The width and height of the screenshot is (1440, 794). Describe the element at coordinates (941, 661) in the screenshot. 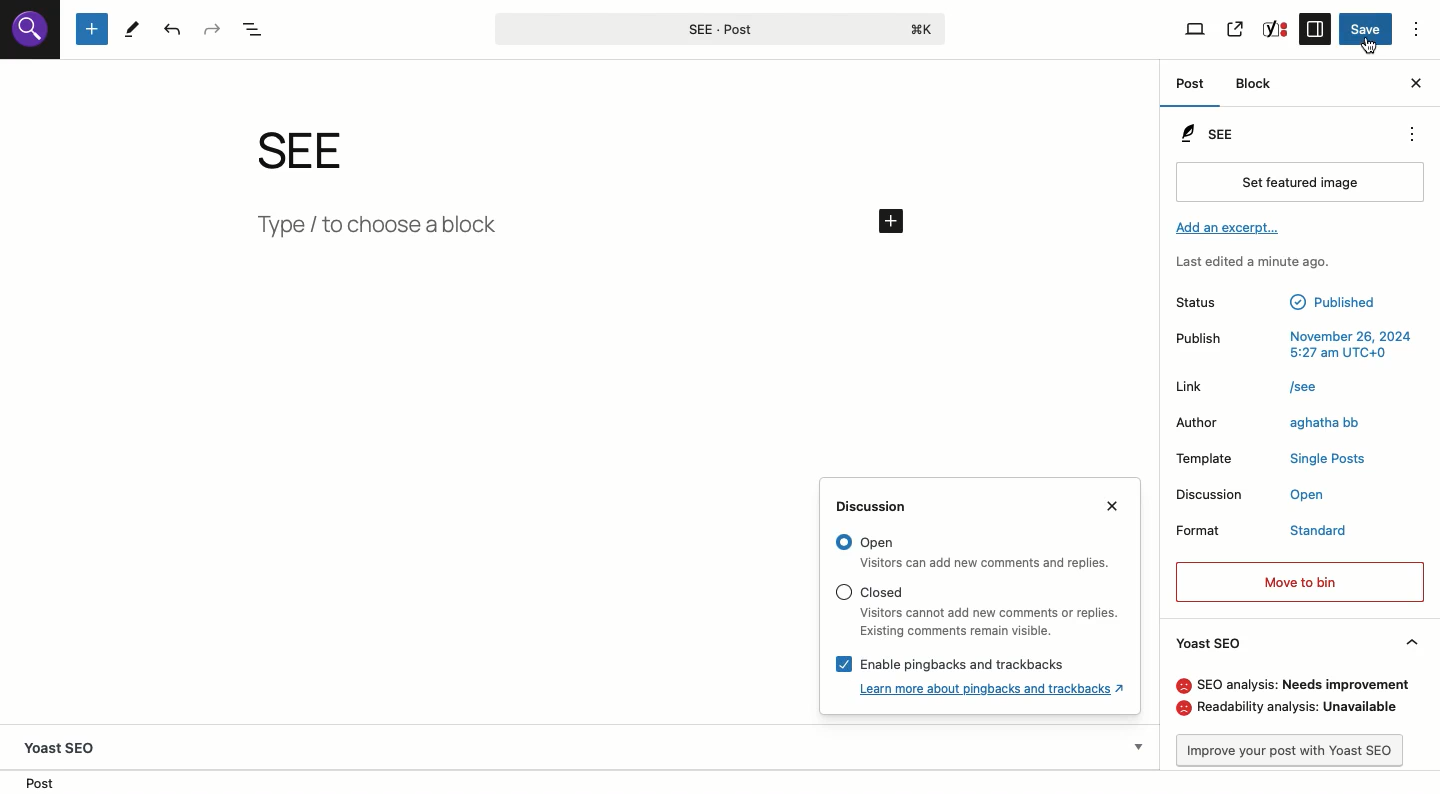

I see `[J Enable pingbacks and trackbacks` at that location.